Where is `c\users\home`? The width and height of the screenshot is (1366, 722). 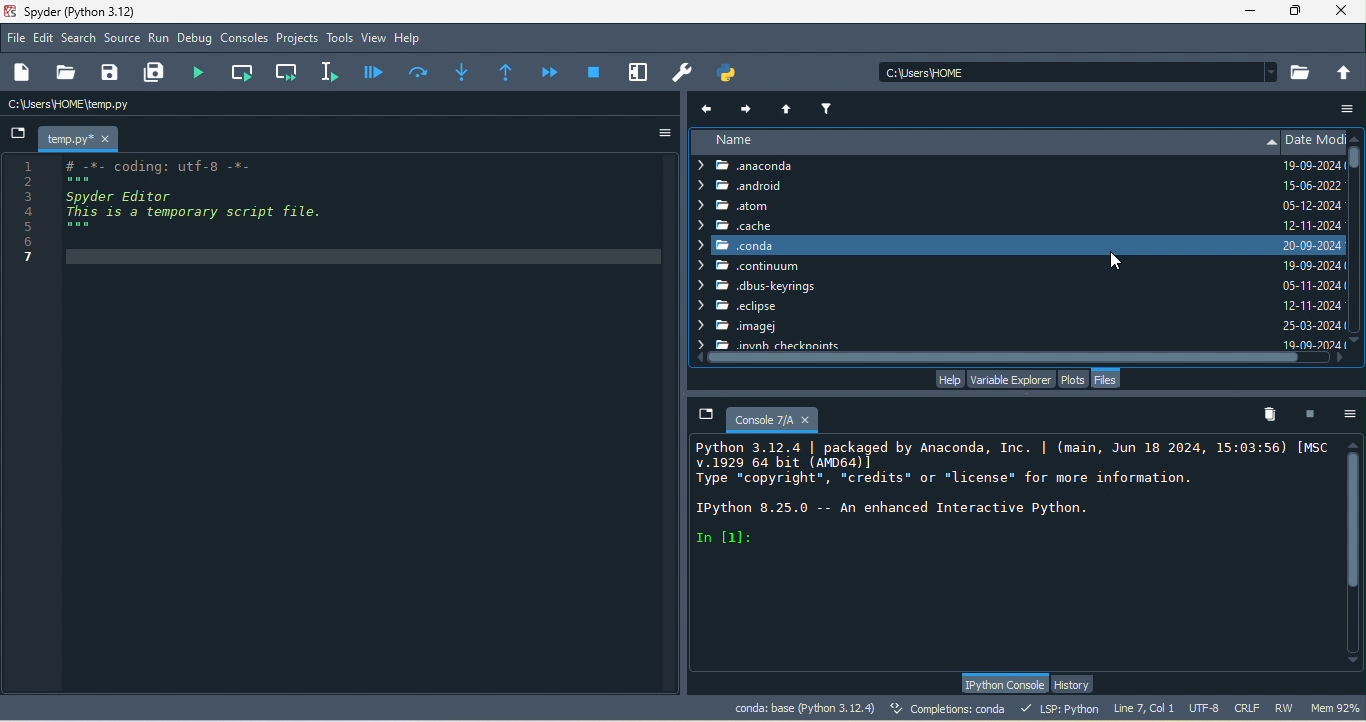
c\users\home is located at coordinates (126, 105).